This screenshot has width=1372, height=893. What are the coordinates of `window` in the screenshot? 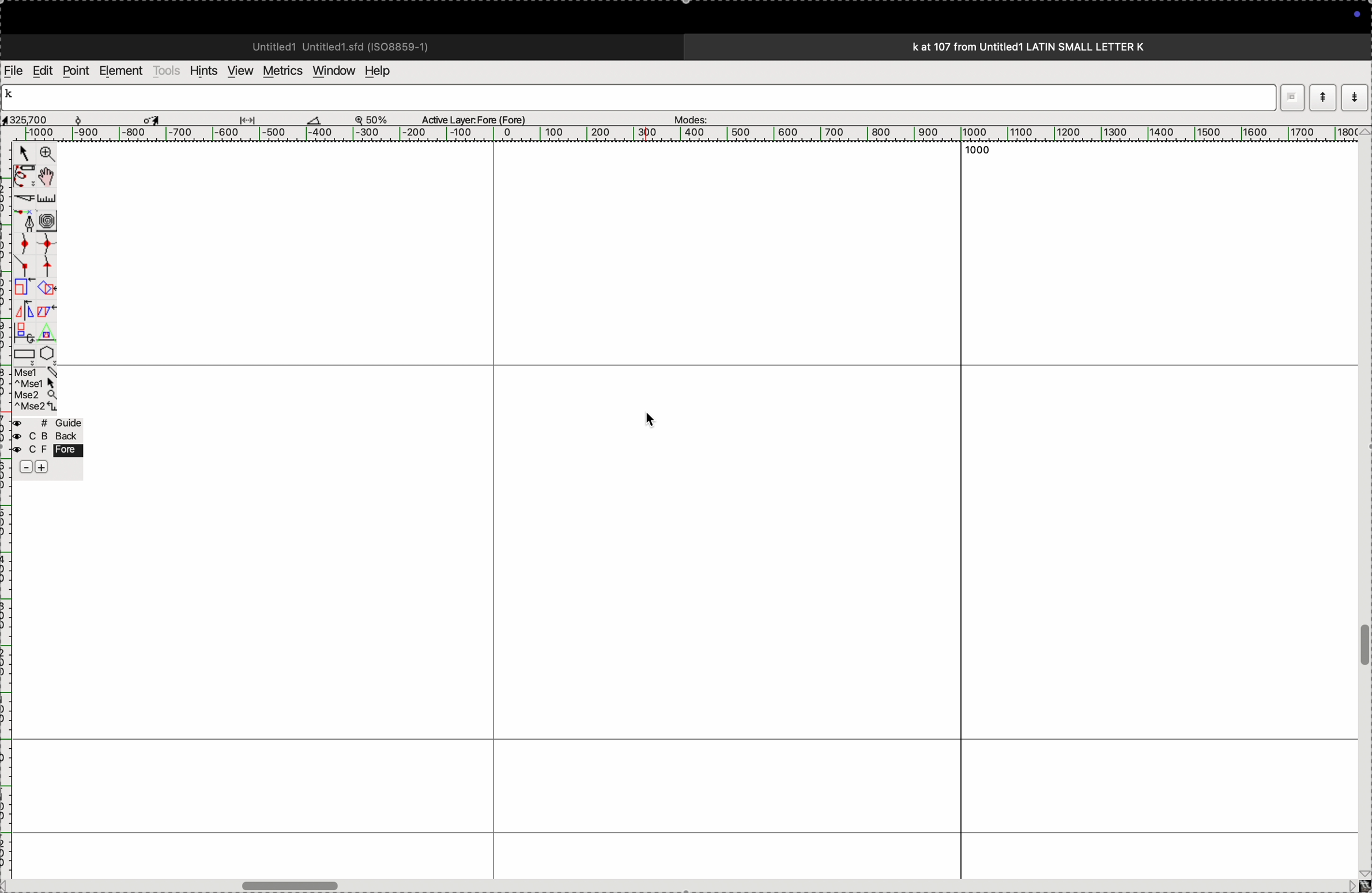 It's located at (331, 70).